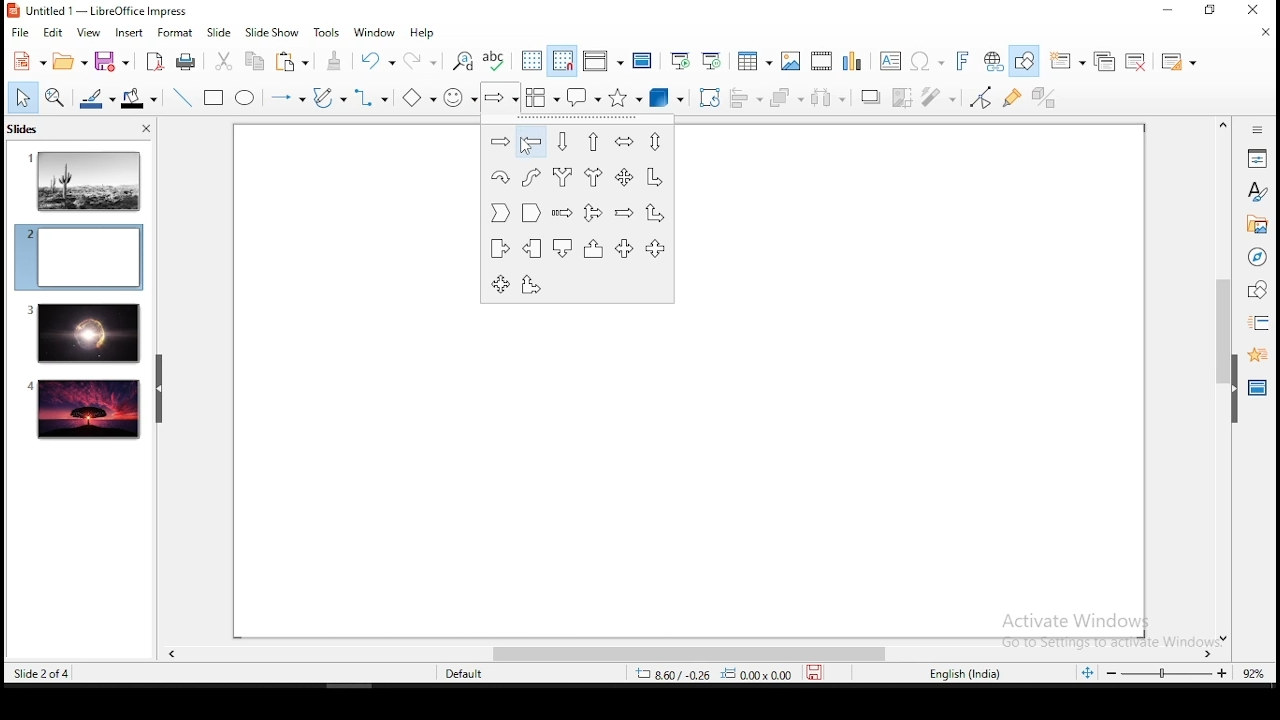 This screenshot has width=1280, height=720. What do you see at coordinates (175, 31) in the screenshot?
I see `format` at bounding box center [175, 31].